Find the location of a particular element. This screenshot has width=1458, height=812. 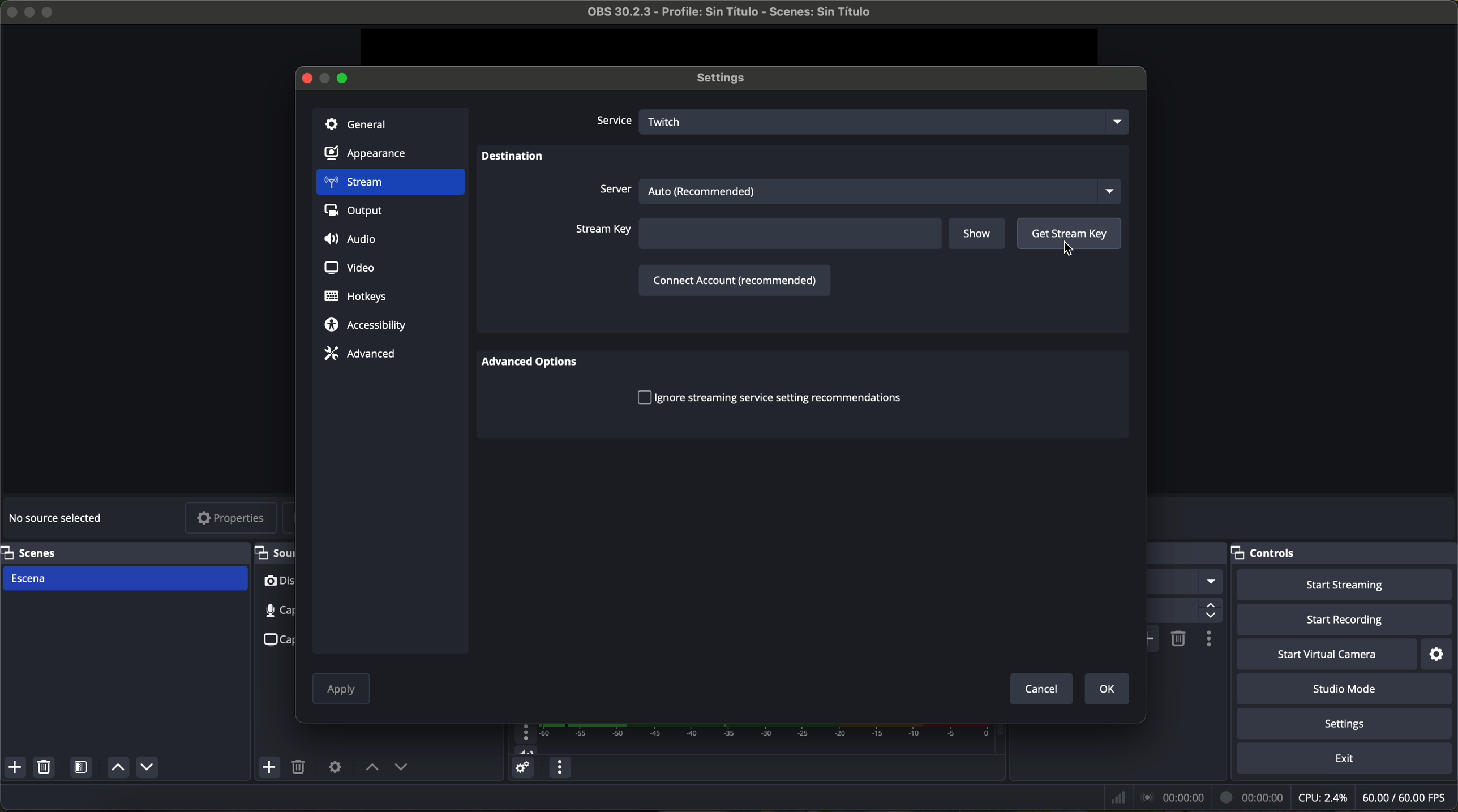

sources is located at coordinates (273, 552).